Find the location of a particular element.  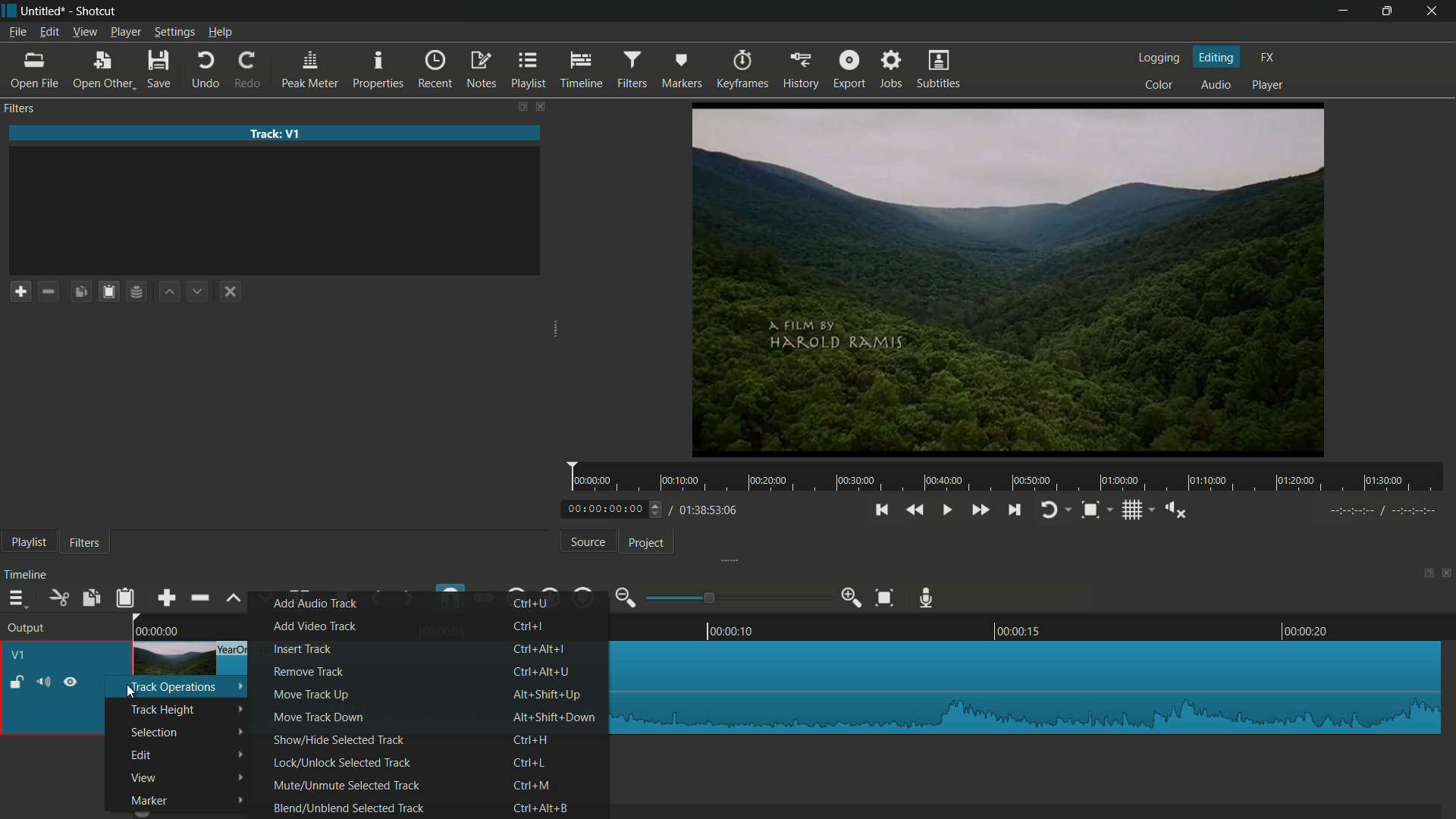

key shortcut is located at coordinates (531, 739).